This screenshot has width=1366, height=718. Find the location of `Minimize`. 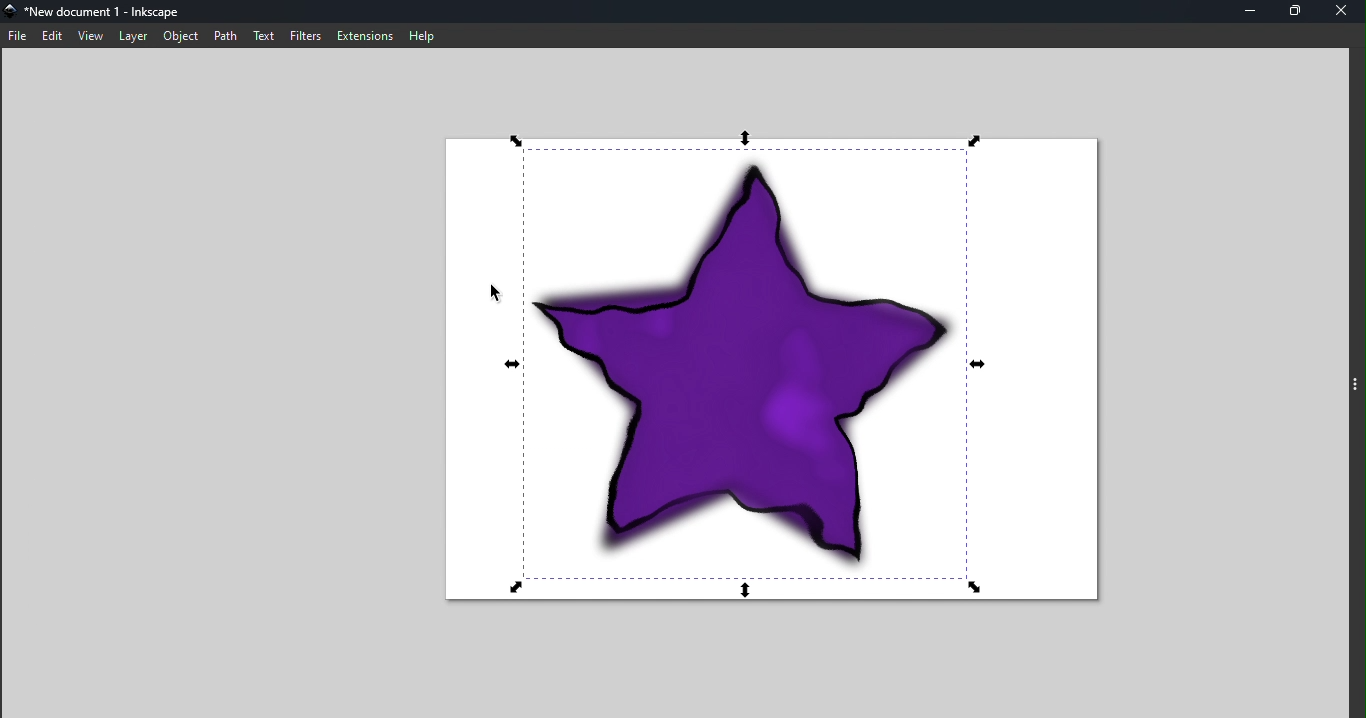

Minimize is located at coordinates (1248, 11).